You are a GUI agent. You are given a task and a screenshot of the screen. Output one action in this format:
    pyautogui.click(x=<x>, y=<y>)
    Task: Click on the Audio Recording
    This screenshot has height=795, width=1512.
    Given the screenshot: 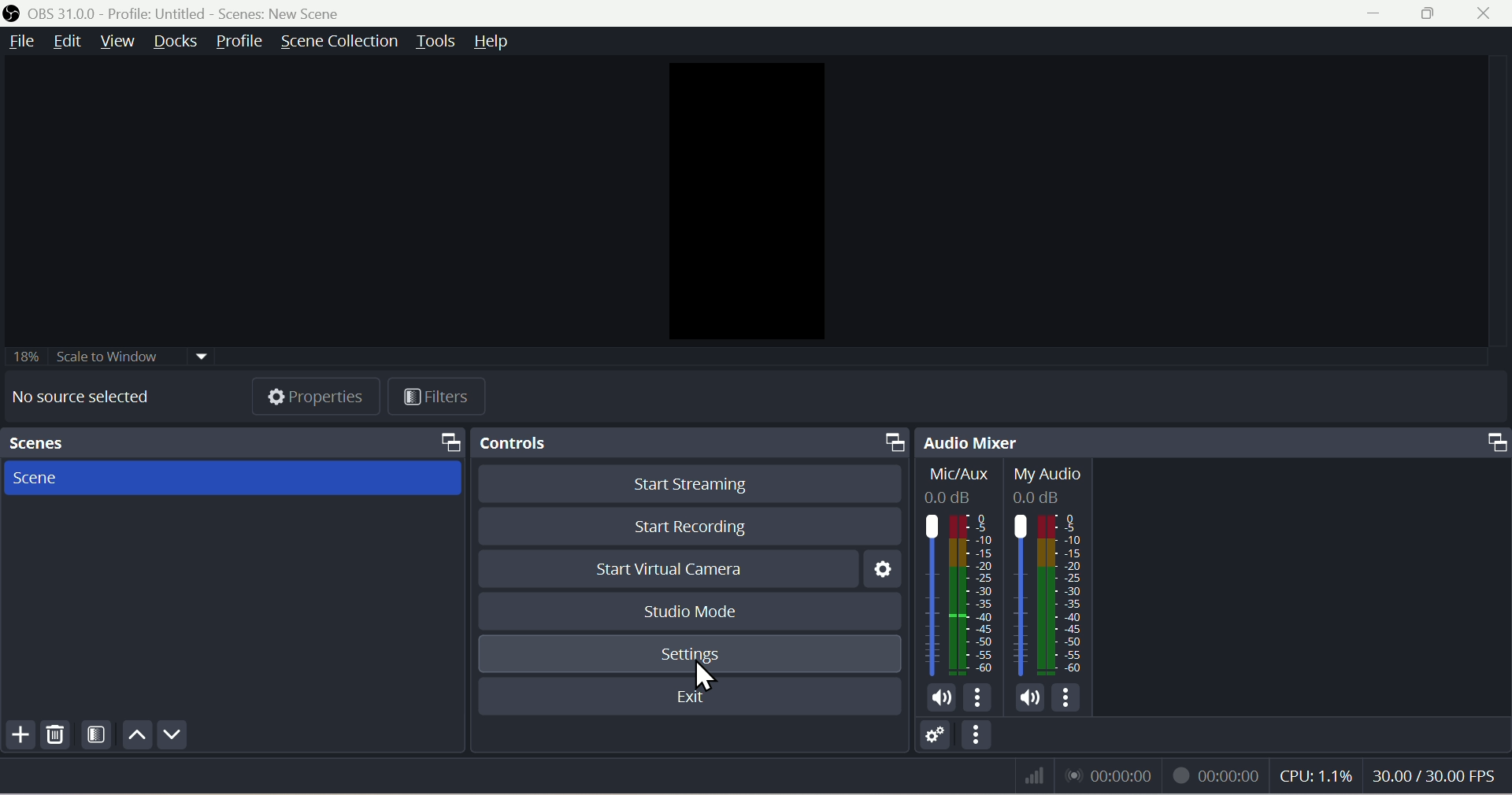 What is the action you would take?
    pyautogui.click(x=1113, y=775)
    